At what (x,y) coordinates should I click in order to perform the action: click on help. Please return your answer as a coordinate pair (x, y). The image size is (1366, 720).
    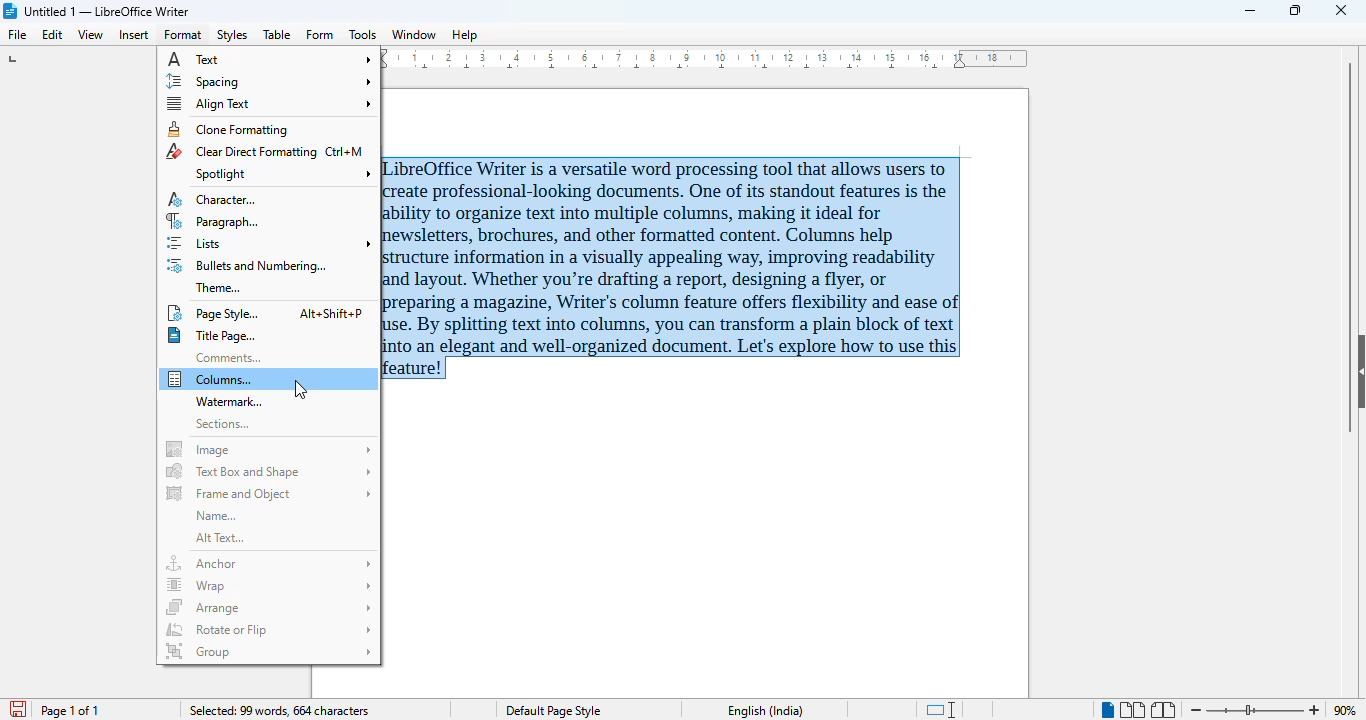
    Looking at the image, I should click on (465, 35).